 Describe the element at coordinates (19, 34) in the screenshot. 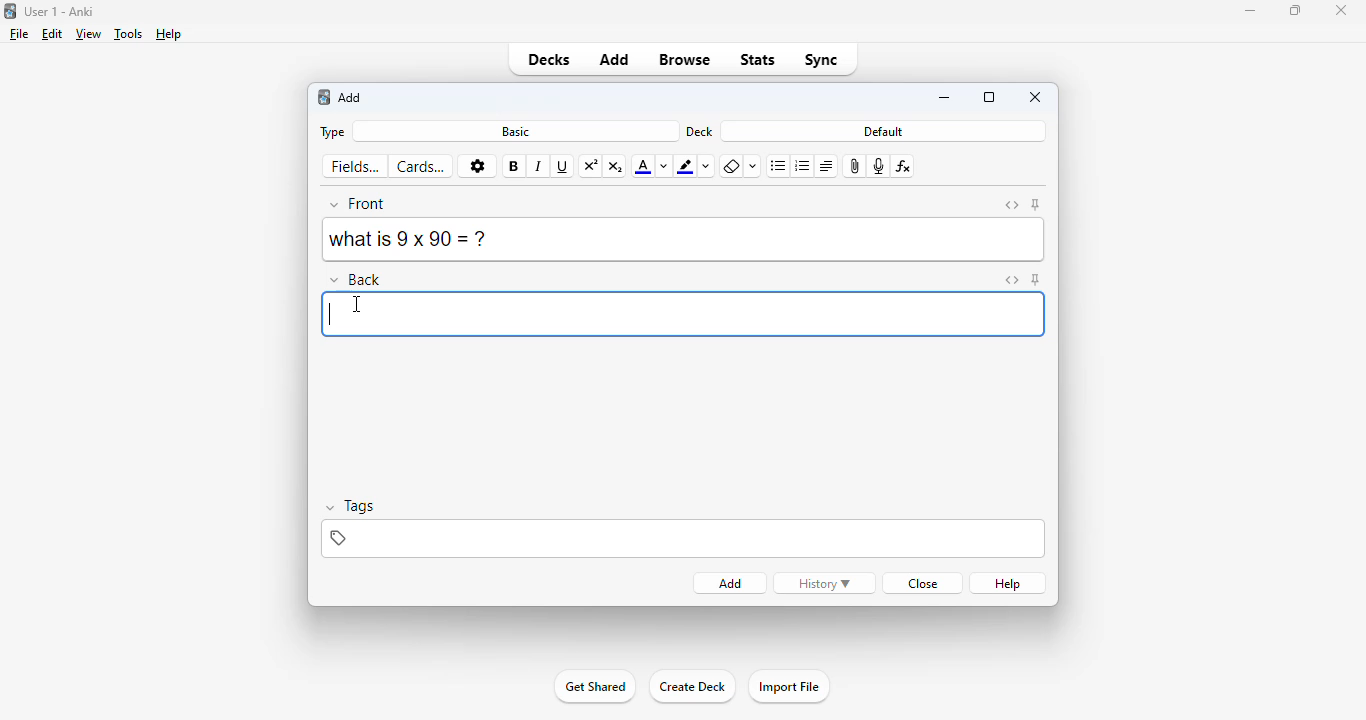

I see `file` at that location.